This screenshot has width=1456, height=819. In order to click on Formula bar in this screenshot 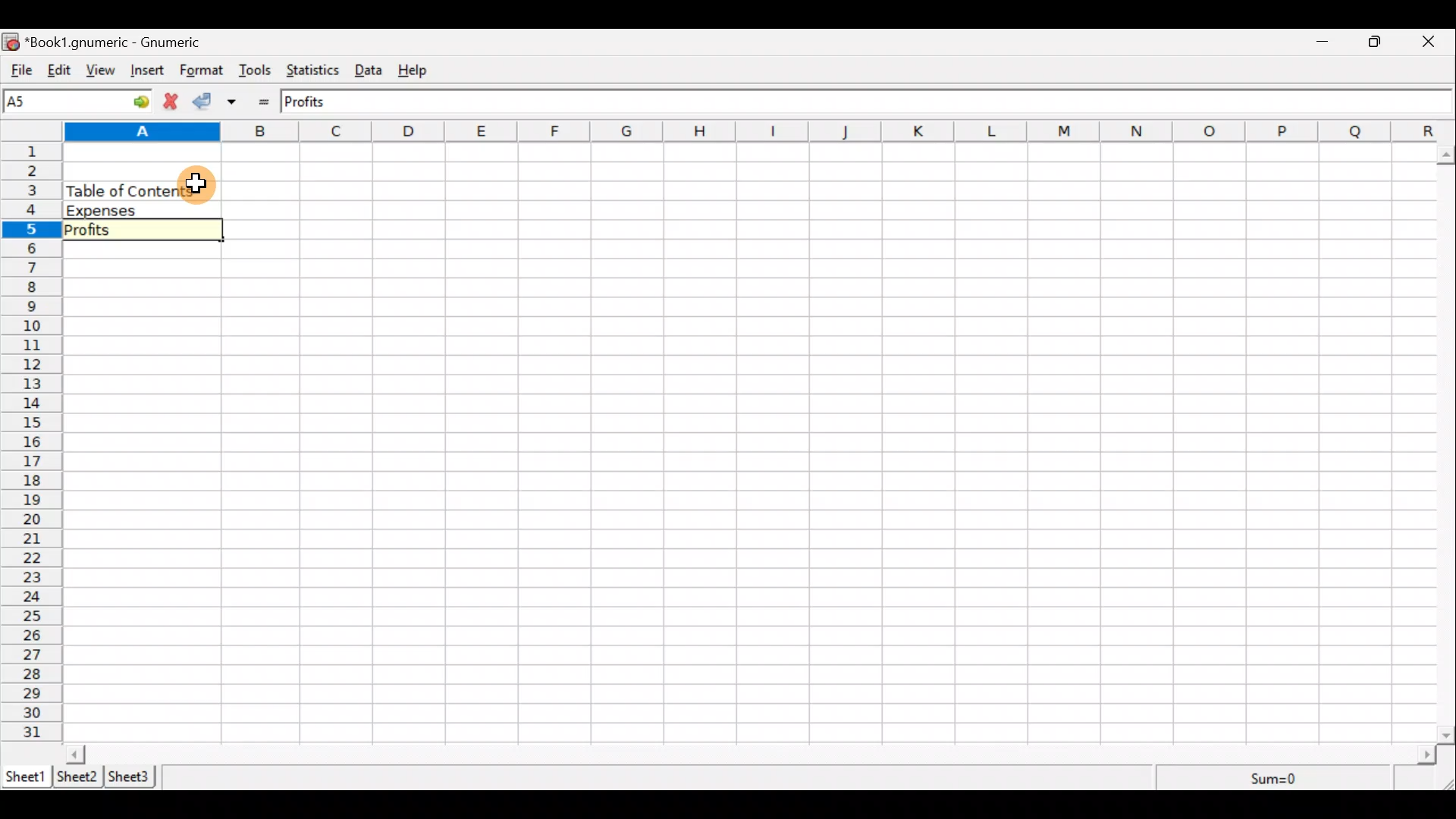, I will do `click(861, 101)`.